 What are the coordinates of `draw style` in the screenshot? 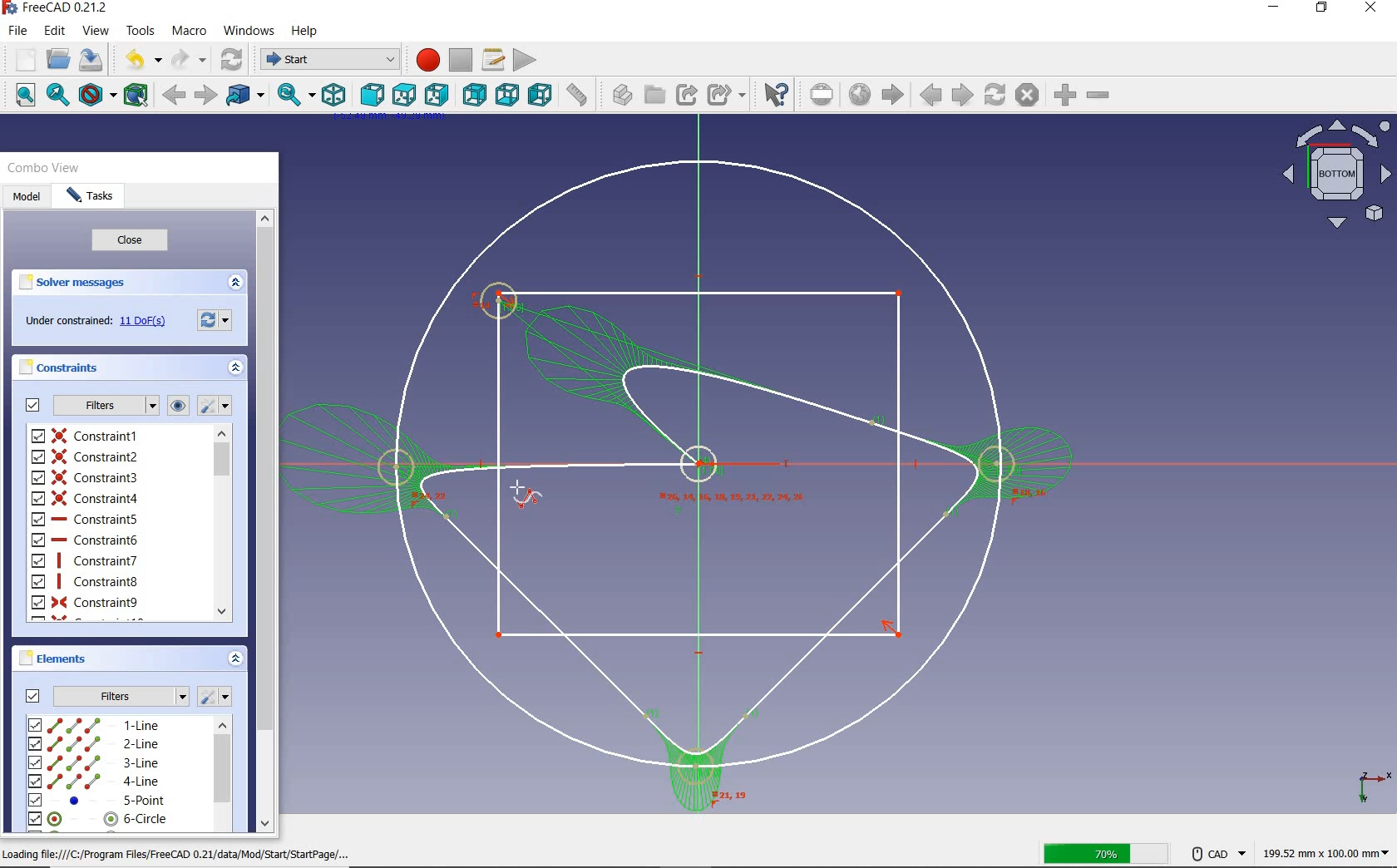 It's located at (97, 96).